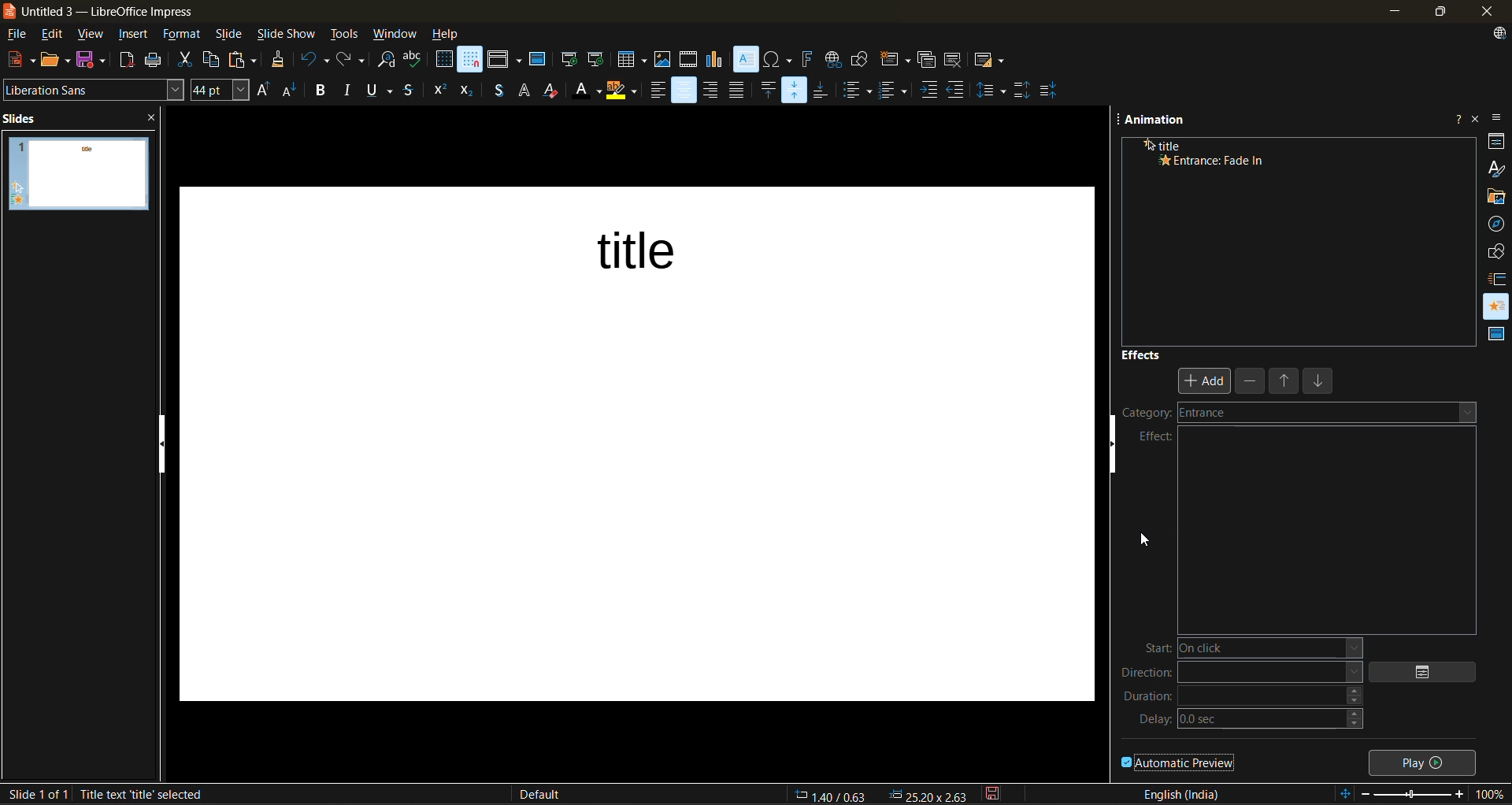 The image size is (1512, 805). Describe the element at coordinates (1321, 384) in the screenshot. I see `move down` at that location.